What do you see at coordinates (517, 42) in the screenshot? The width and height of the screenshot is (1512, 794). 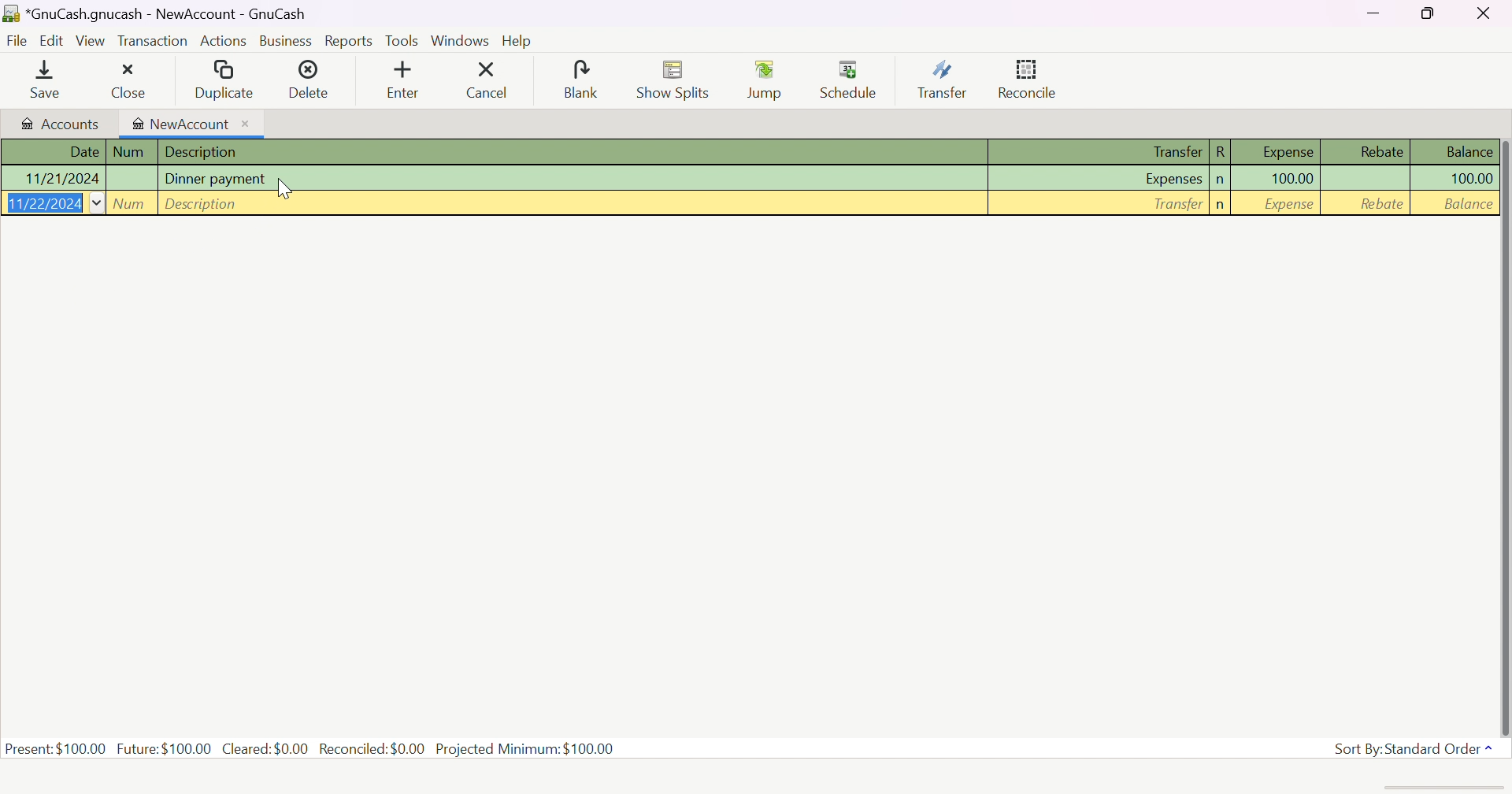 I see `Help` at bounding box center [517, 42].